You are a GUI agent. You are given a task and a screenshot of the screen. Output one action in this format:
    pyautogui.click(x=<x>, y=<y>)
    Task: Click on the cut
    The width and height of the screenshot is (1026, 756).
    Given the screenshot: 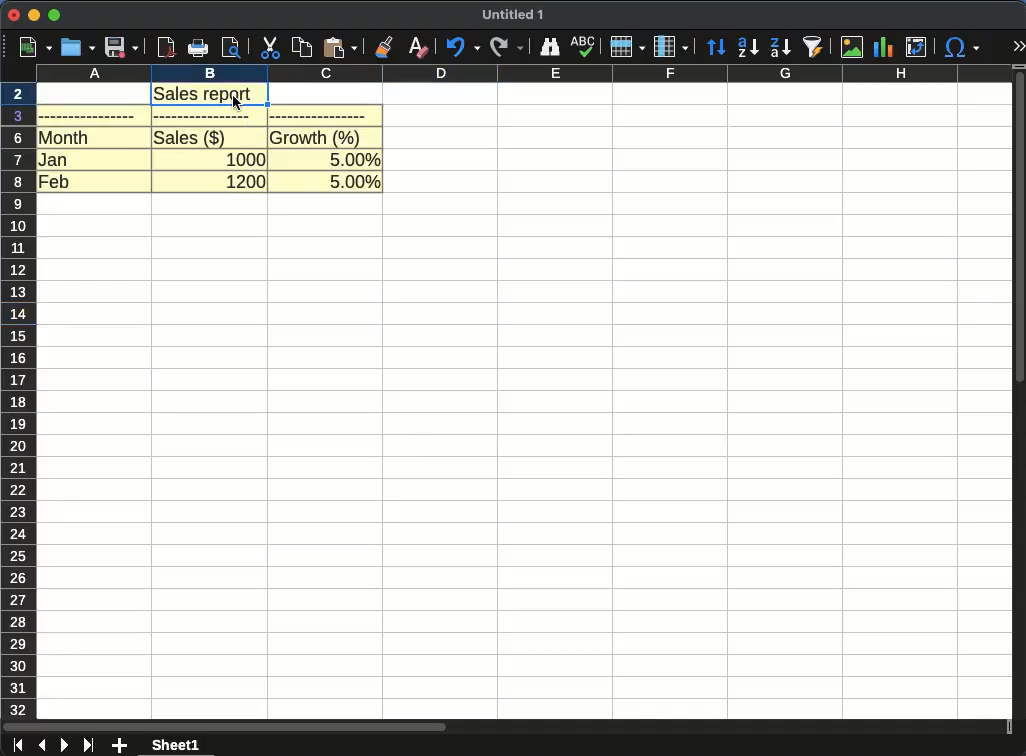 What is the action you would take?
    pyautogui.click(x=271, y=48)
    